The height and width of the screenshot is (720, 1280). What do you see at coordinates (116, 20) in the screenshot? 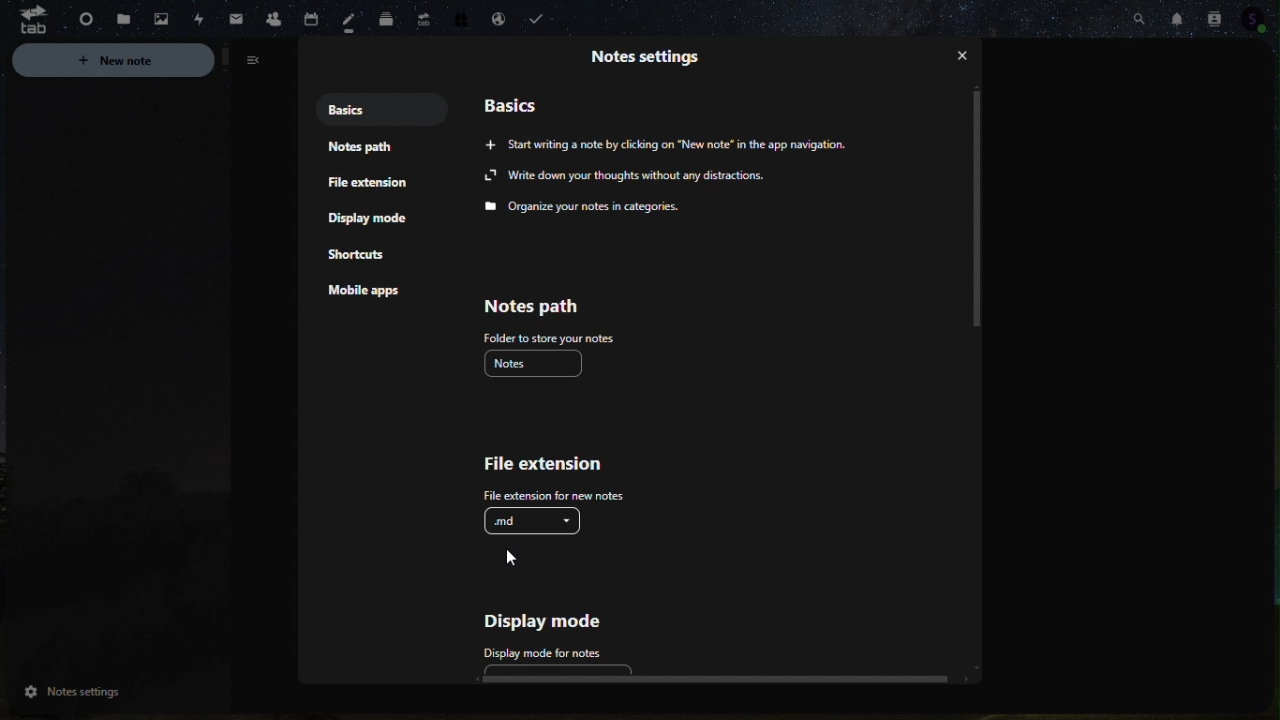
I see `File` at bounding box center [116, 20].